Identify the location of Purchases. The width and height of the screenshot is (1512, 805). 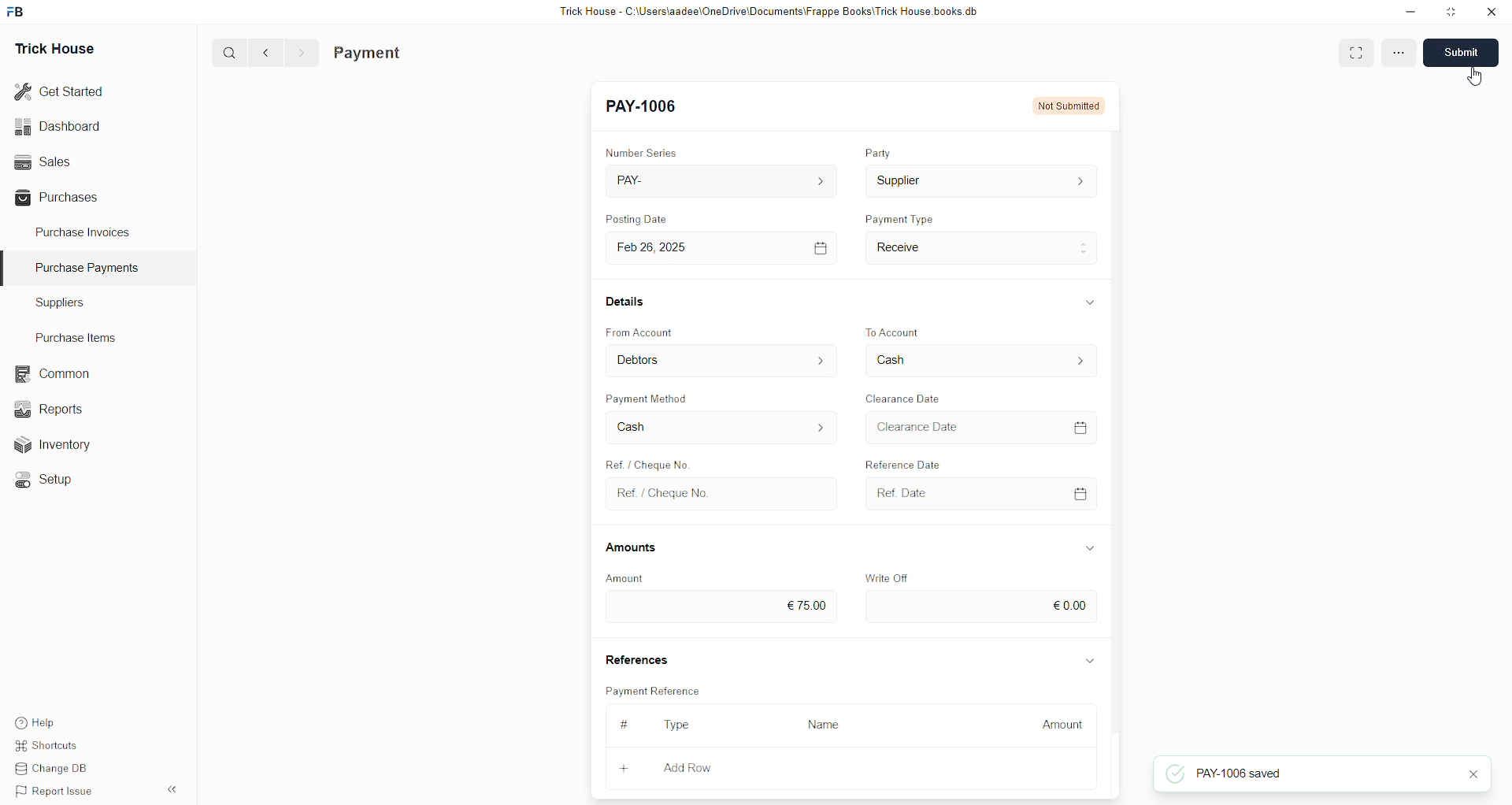
(60, 199).